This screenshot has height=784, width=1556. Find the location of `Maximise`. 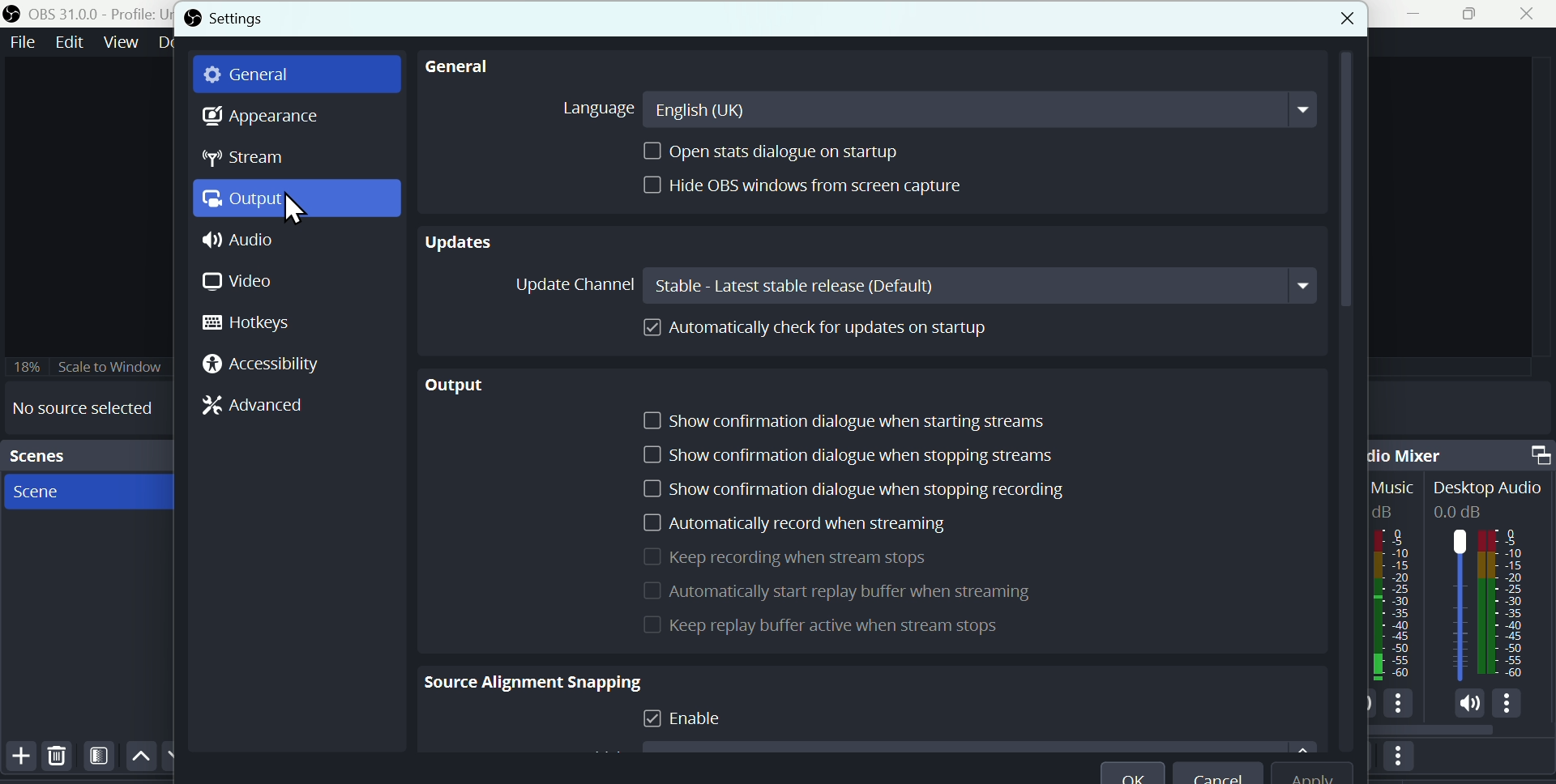

Maximise is located at coordinates (1474, 16).